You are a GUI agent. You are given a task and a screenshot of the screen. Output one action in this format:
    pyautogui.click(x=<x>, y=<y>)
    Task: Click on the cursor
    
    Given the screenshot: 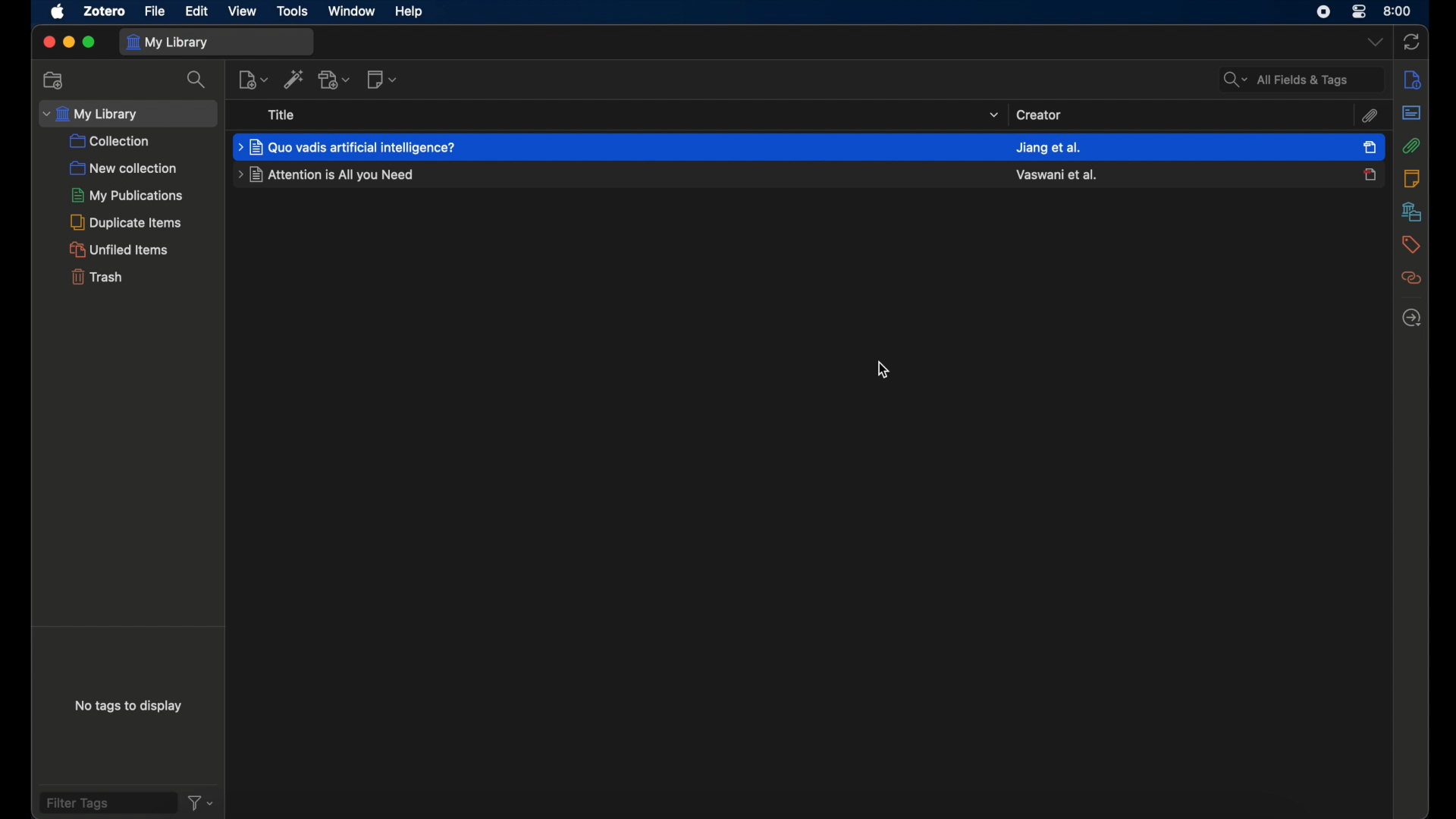 What is the action you would take?
    pyautogui.click(x=883, y=369)
    